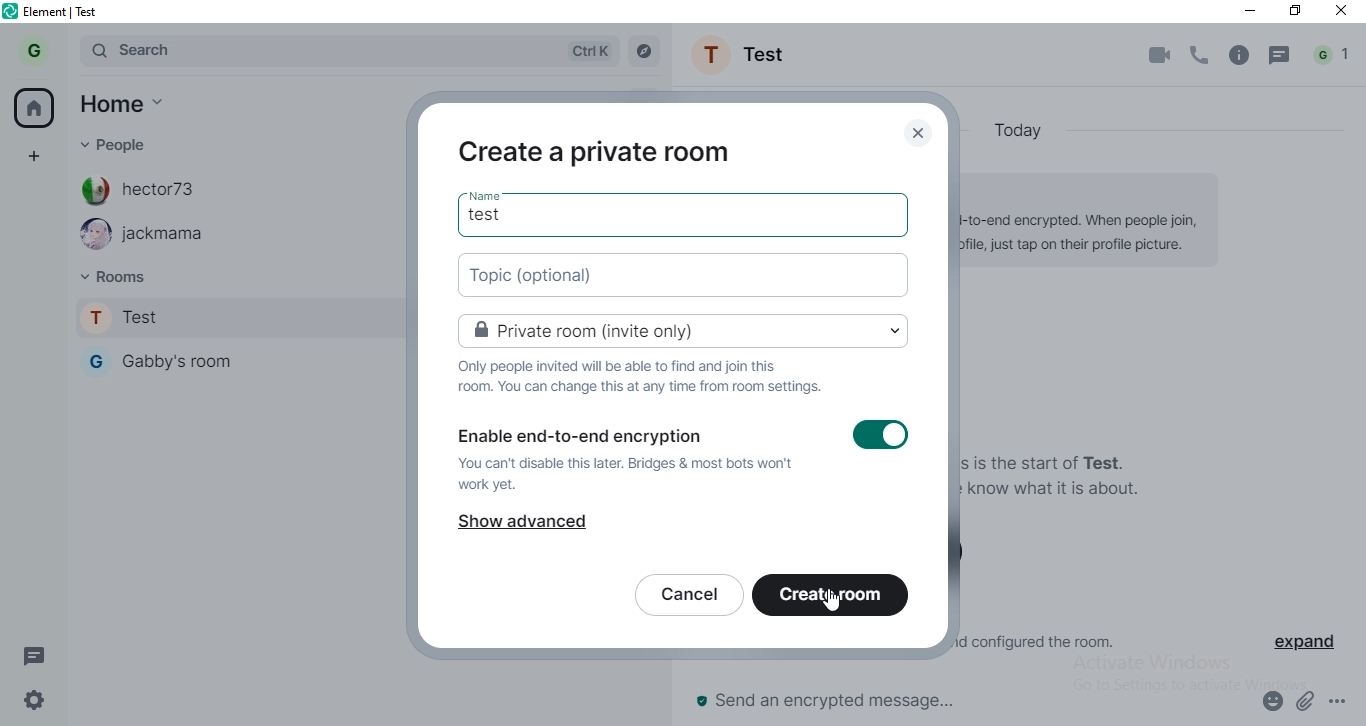 The height and width of the screenshot is (726, 1366). Describe the element at coordinates (888, 437) in the screenshot. I see `switch` at that location.